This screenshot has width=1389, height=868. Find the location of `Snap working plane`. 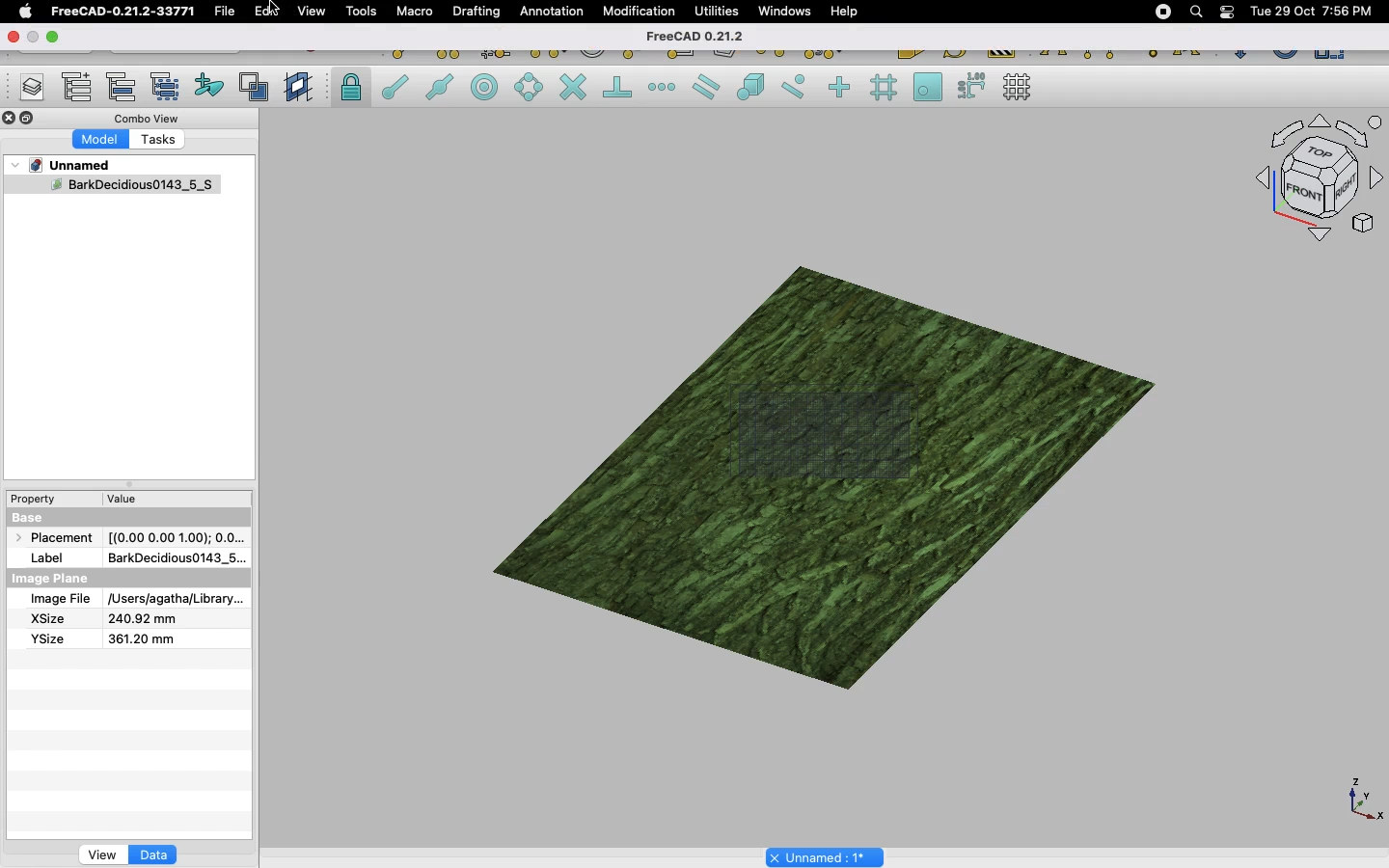

Snap working plane is located at coordinates (928, 89).